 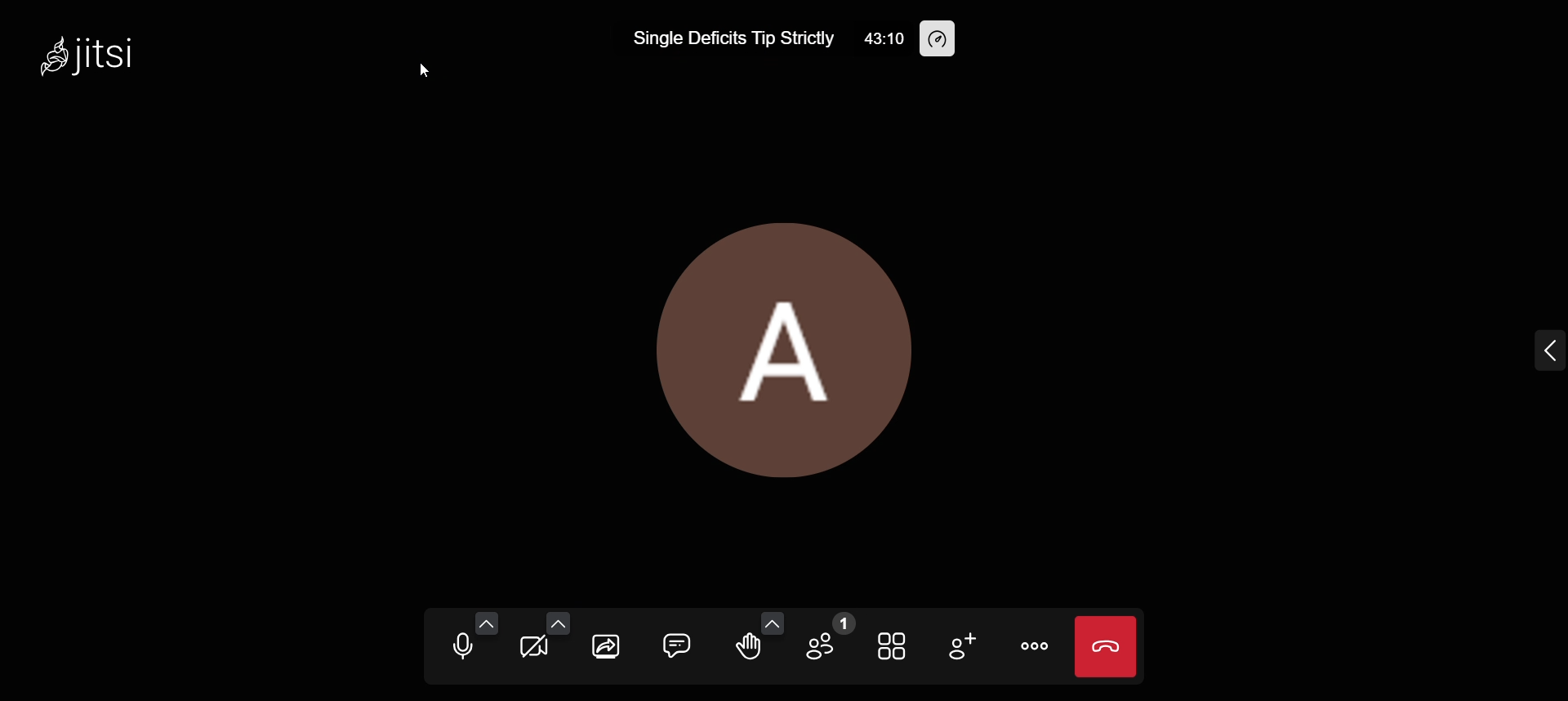 I want to click on start camera, so click(x=531, y=648).